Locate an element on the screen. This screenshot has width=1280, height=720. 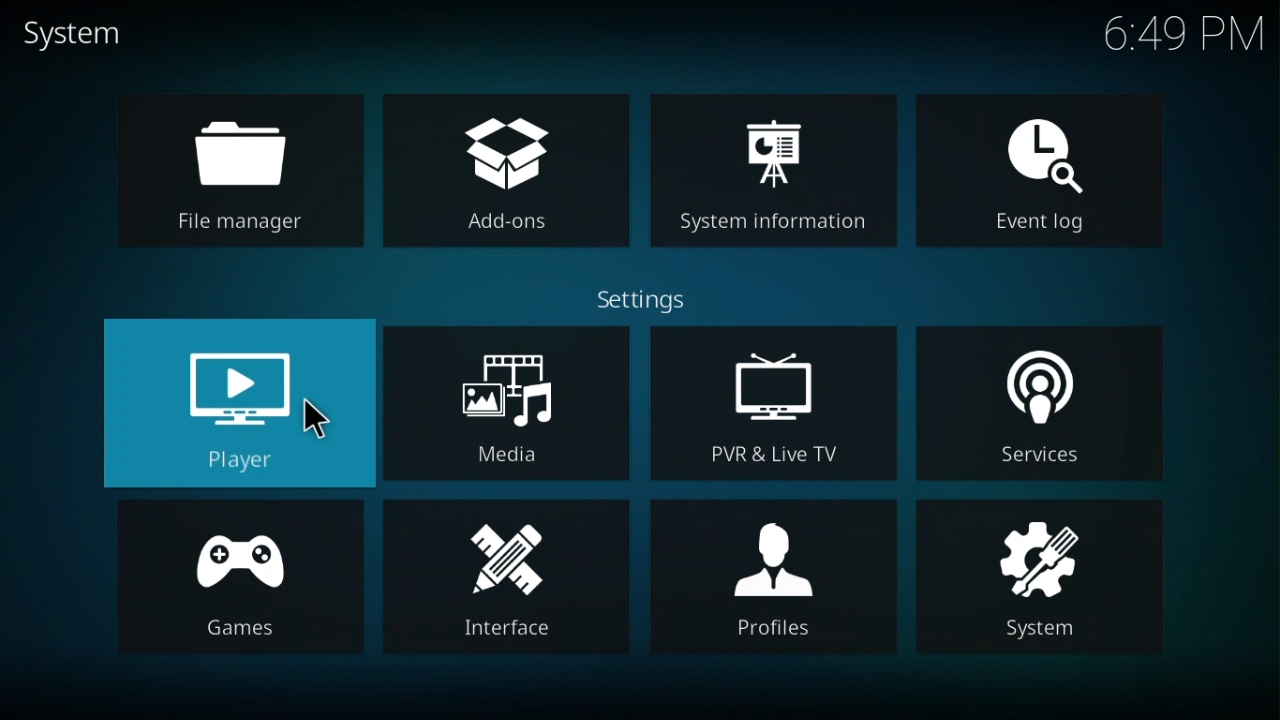
PVR and Live TV is located at coordinates (775, 401).